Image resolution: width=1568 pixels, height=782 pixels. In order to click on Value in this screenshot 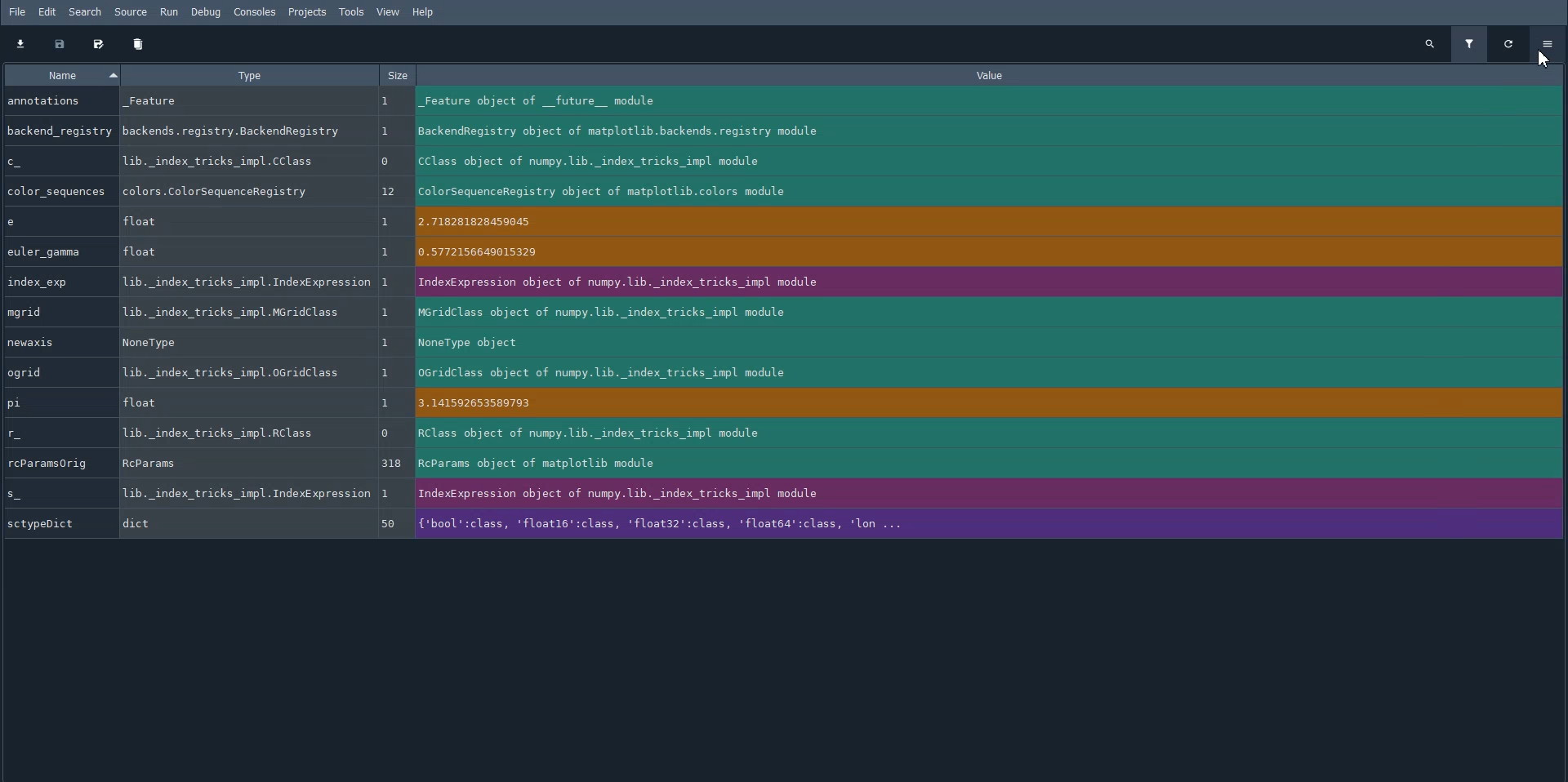, I will do `click(996, 76)`.